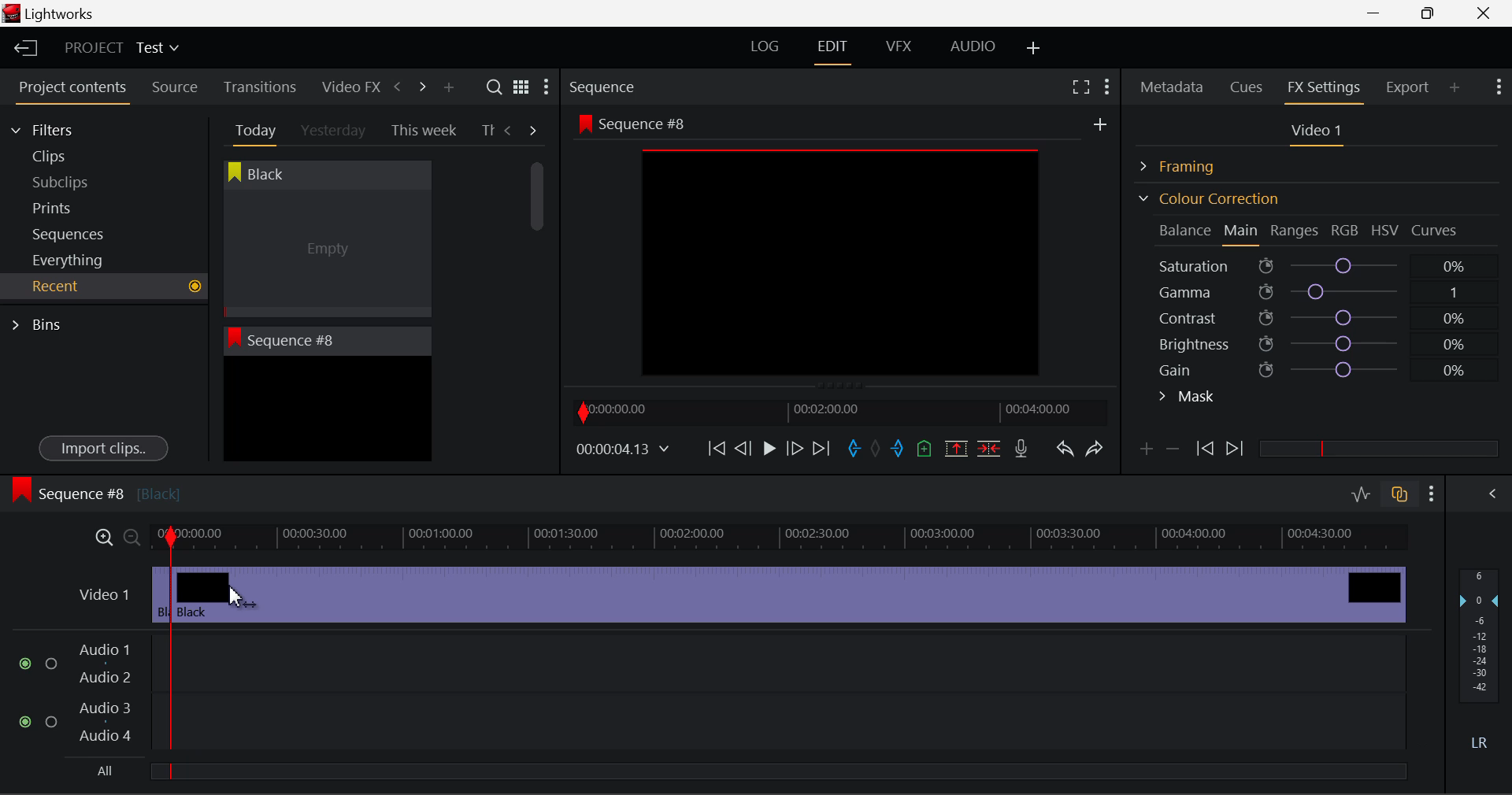  Describe the element at coordinates (1320, 292) in the screenshot. I see `Gamma` at that location.